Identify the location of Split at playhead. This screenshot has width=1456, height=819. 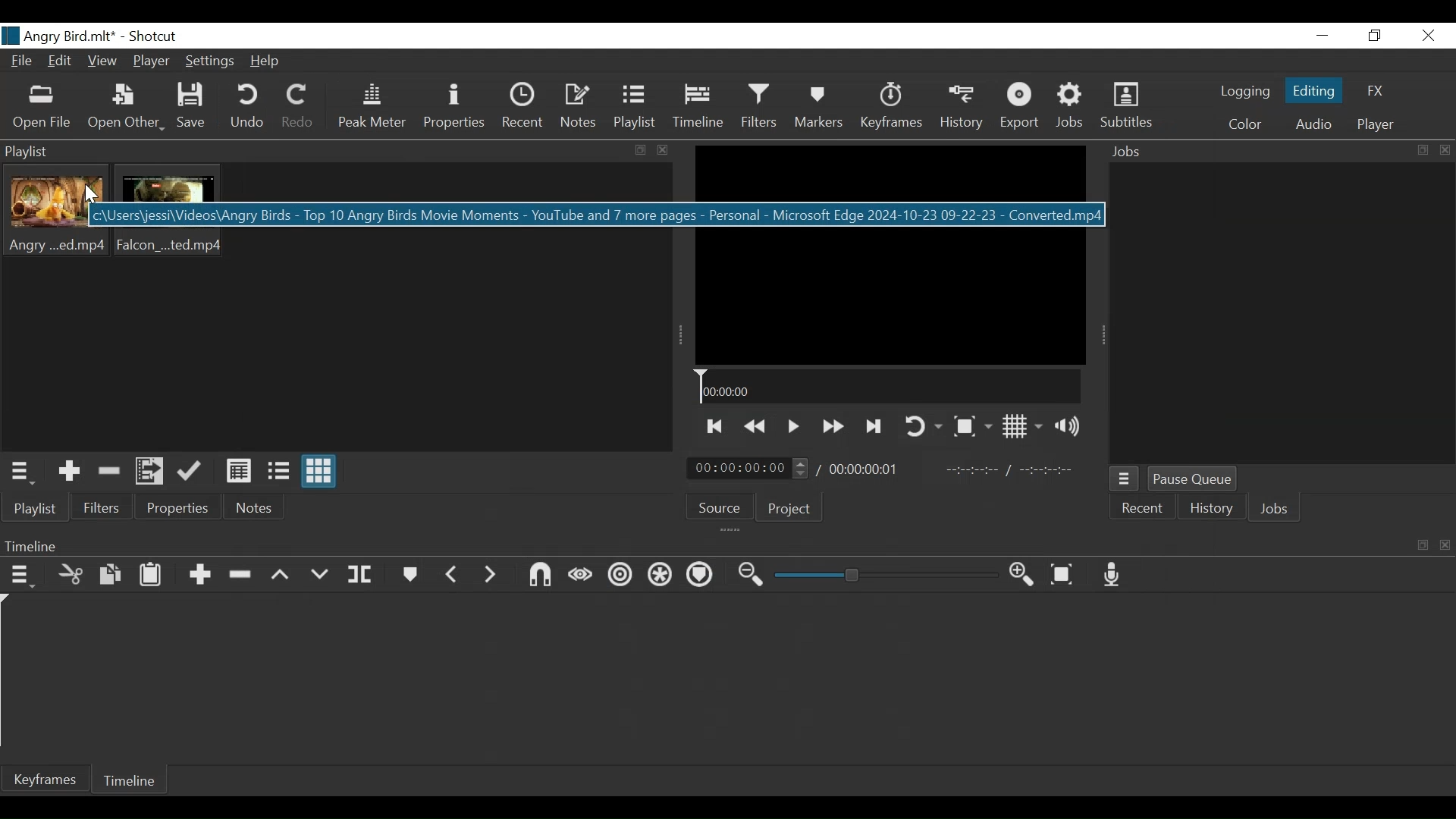
(362, 576).